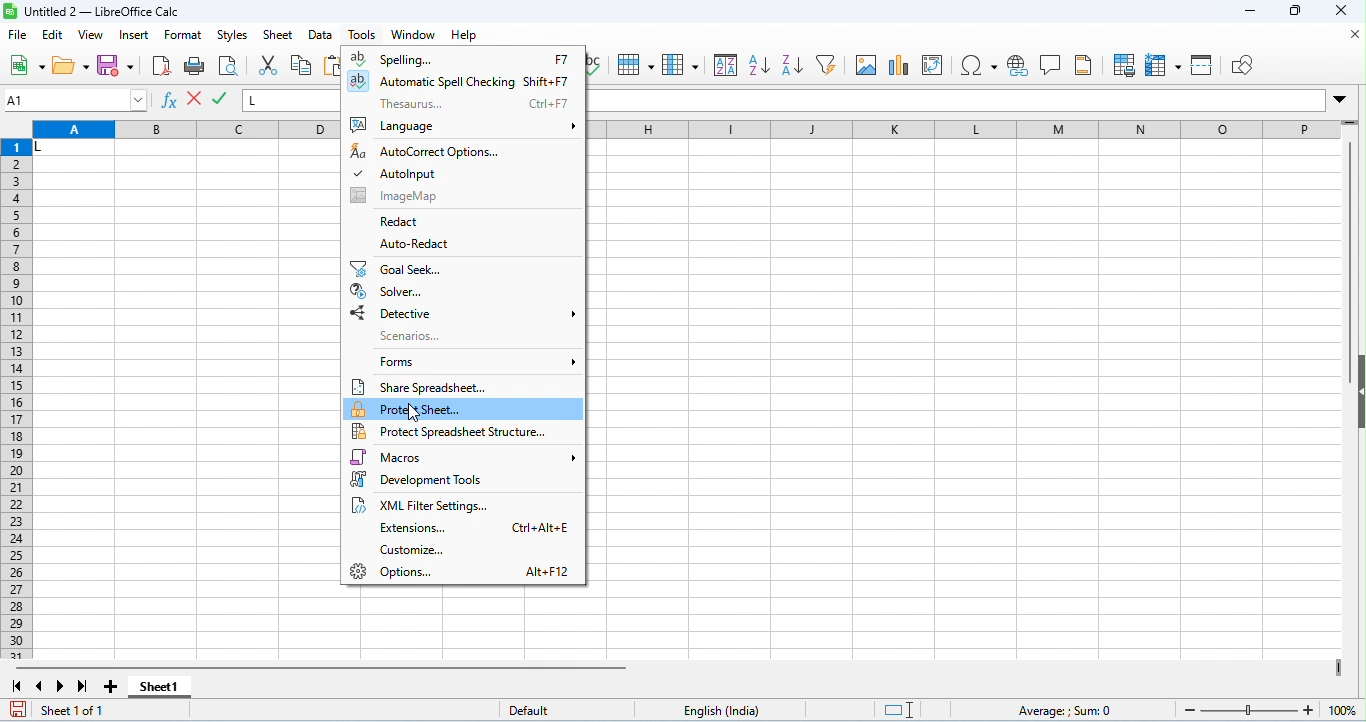 The width and height of the screenshot is (1366, 722). What do you see at coordinates (397, 269) in the screenshot?
I see `goal seek` at bounding box center [397, 269].